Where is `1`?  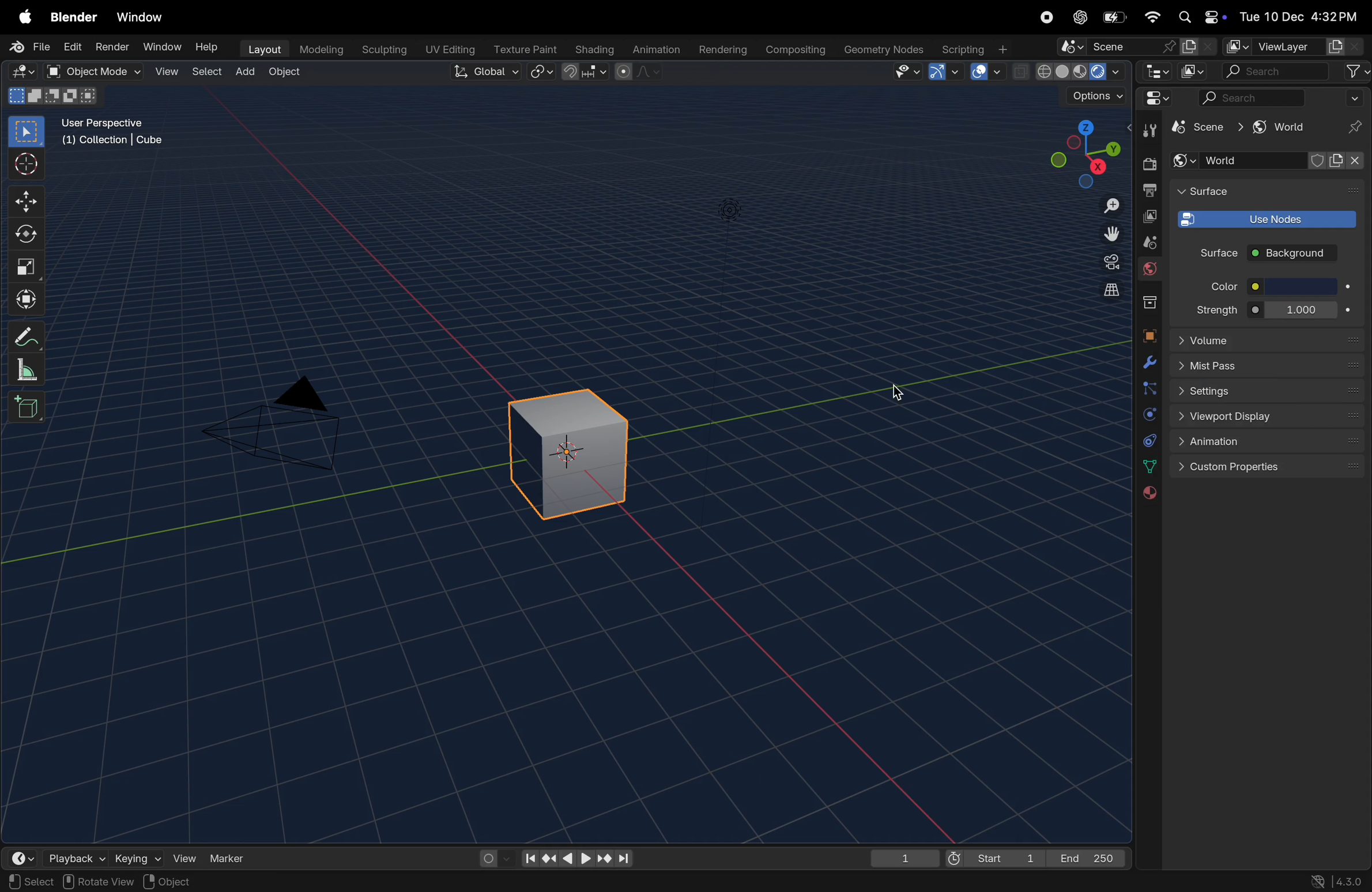
1 is located at coordinates (904, 856).